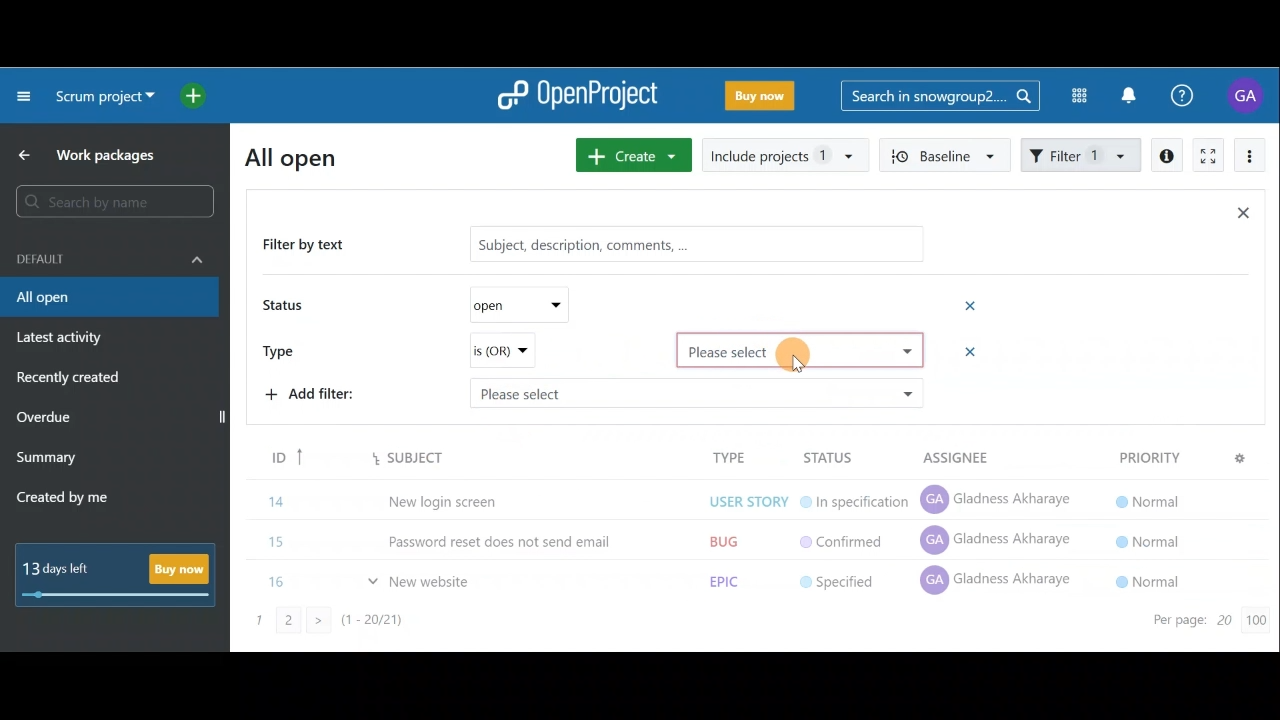 The width and height of the screenshot is (1280, 720). What do you see at coordinates (764, 99) in the screenshot?
I see `Buy now` at bounding box center [764, 99].